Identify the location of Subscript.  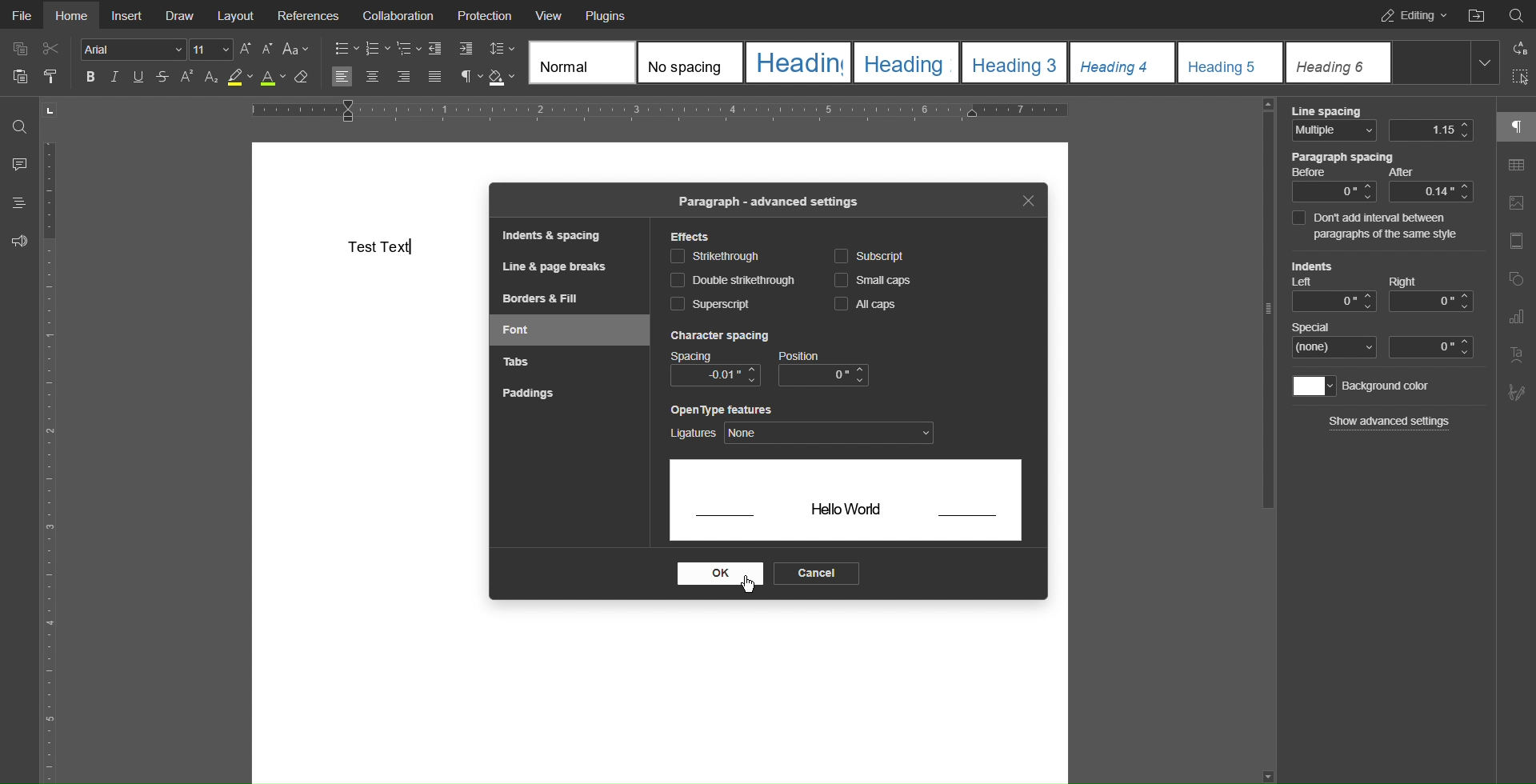
(211, 78).